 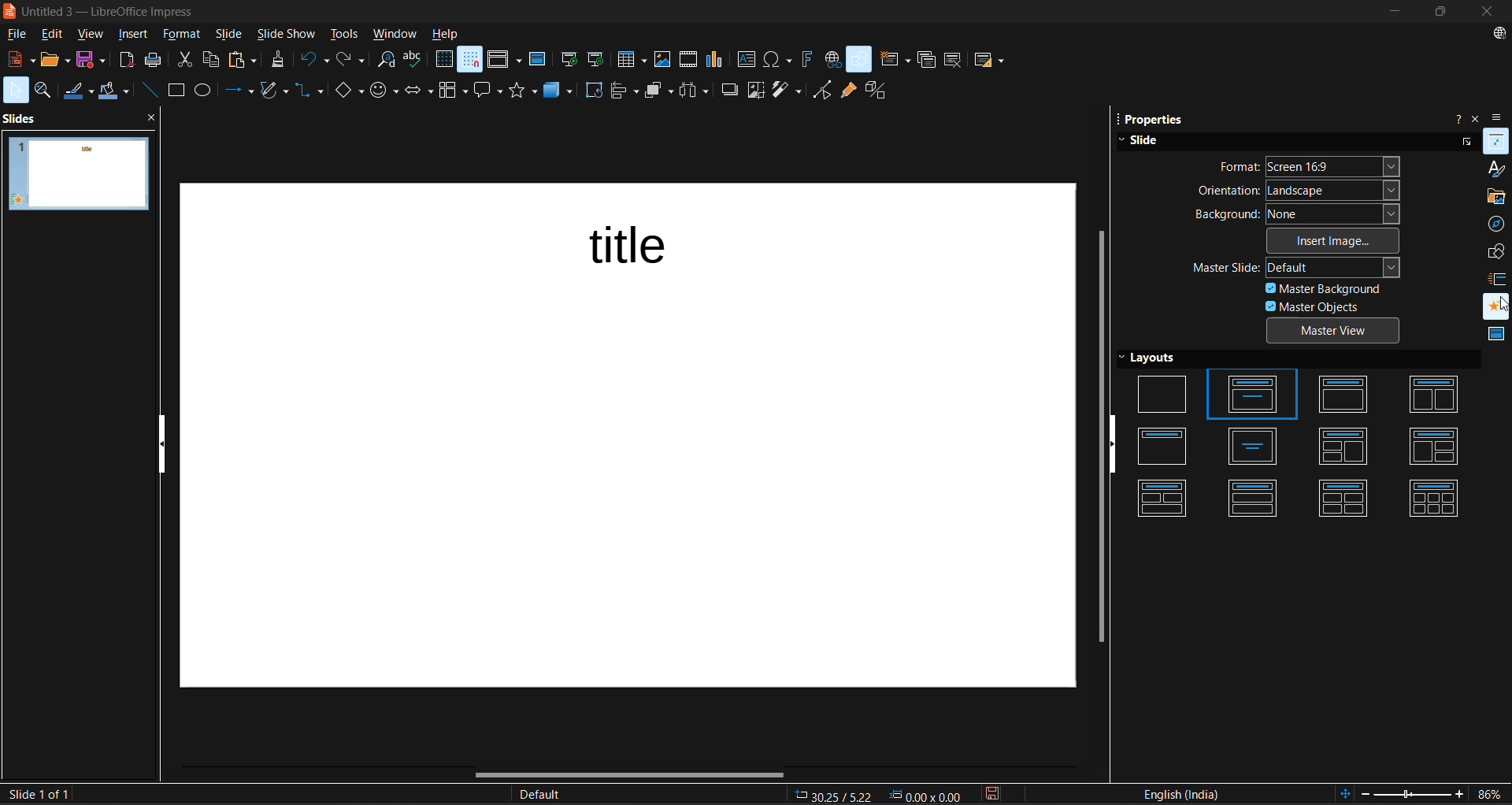 I want to click on hide, so click(x=165, y=443).